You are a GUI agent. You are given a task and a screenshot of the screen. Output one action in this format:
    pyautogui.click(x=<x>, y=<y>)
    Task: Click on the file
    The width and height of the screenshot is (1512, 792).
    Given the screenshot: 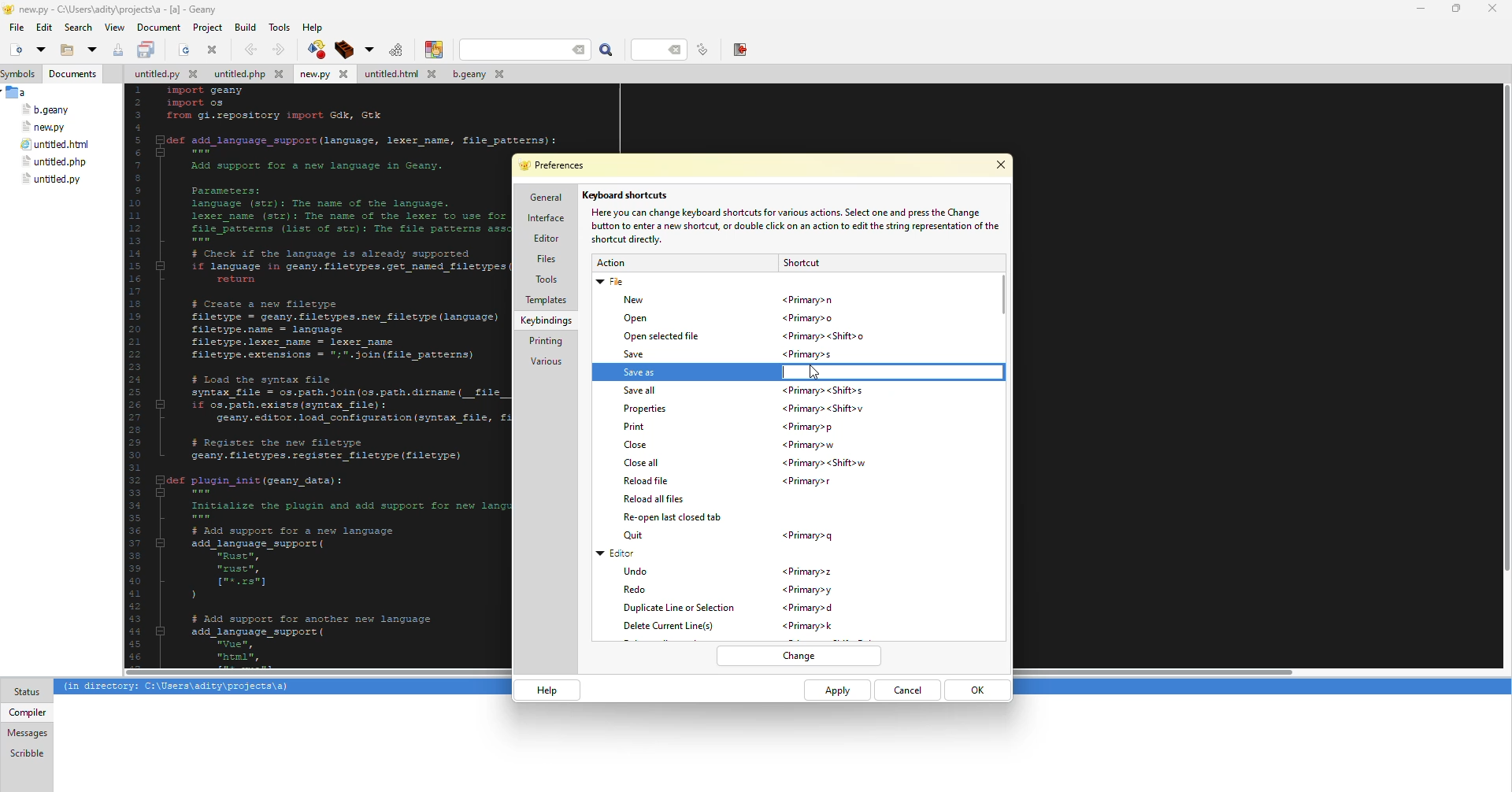 What is the action you would take?
    pyautogui.click(x=55, y=146)
    